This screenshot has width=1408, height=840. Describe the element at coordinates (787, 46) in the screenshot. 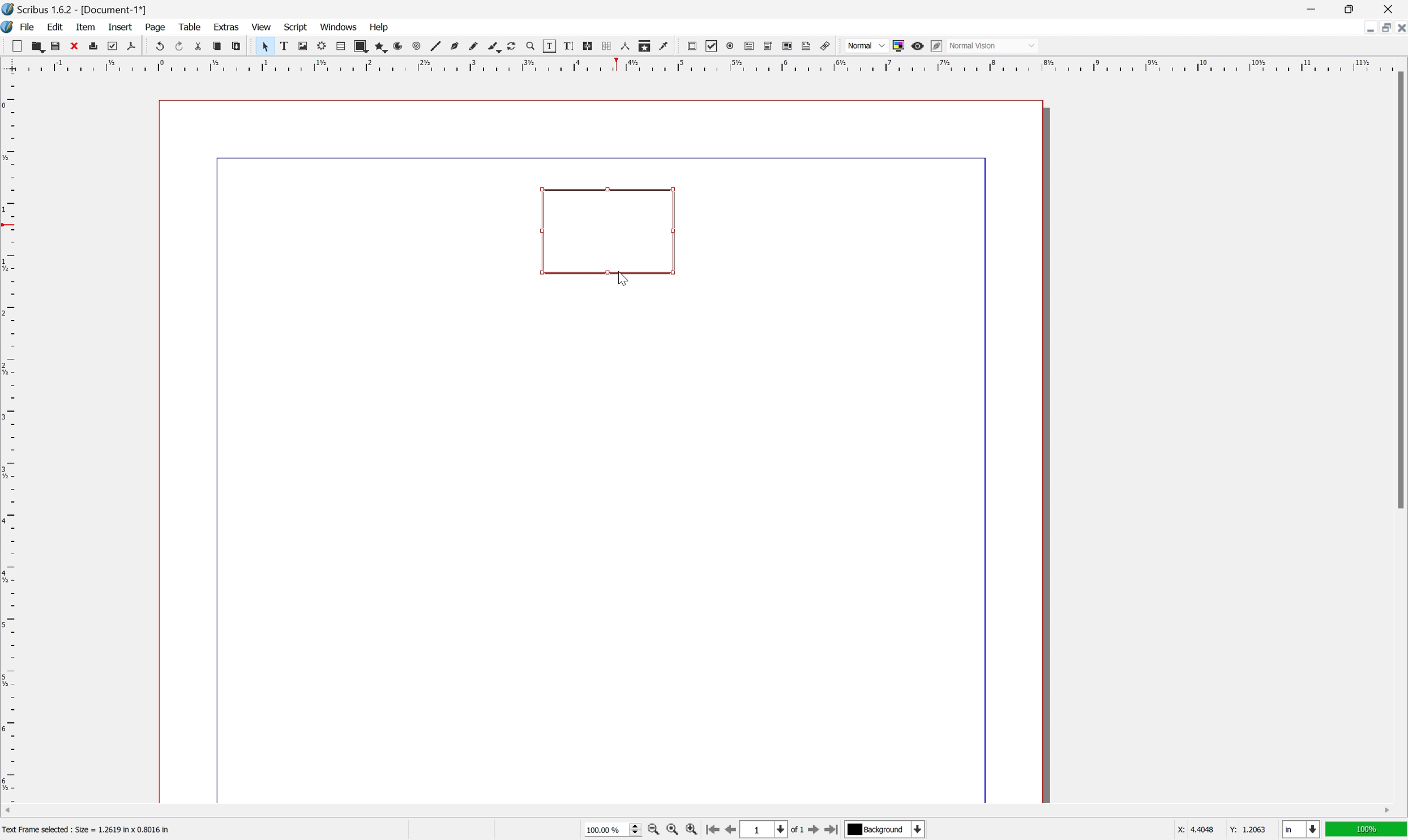

I see `pdf list box` at that location.